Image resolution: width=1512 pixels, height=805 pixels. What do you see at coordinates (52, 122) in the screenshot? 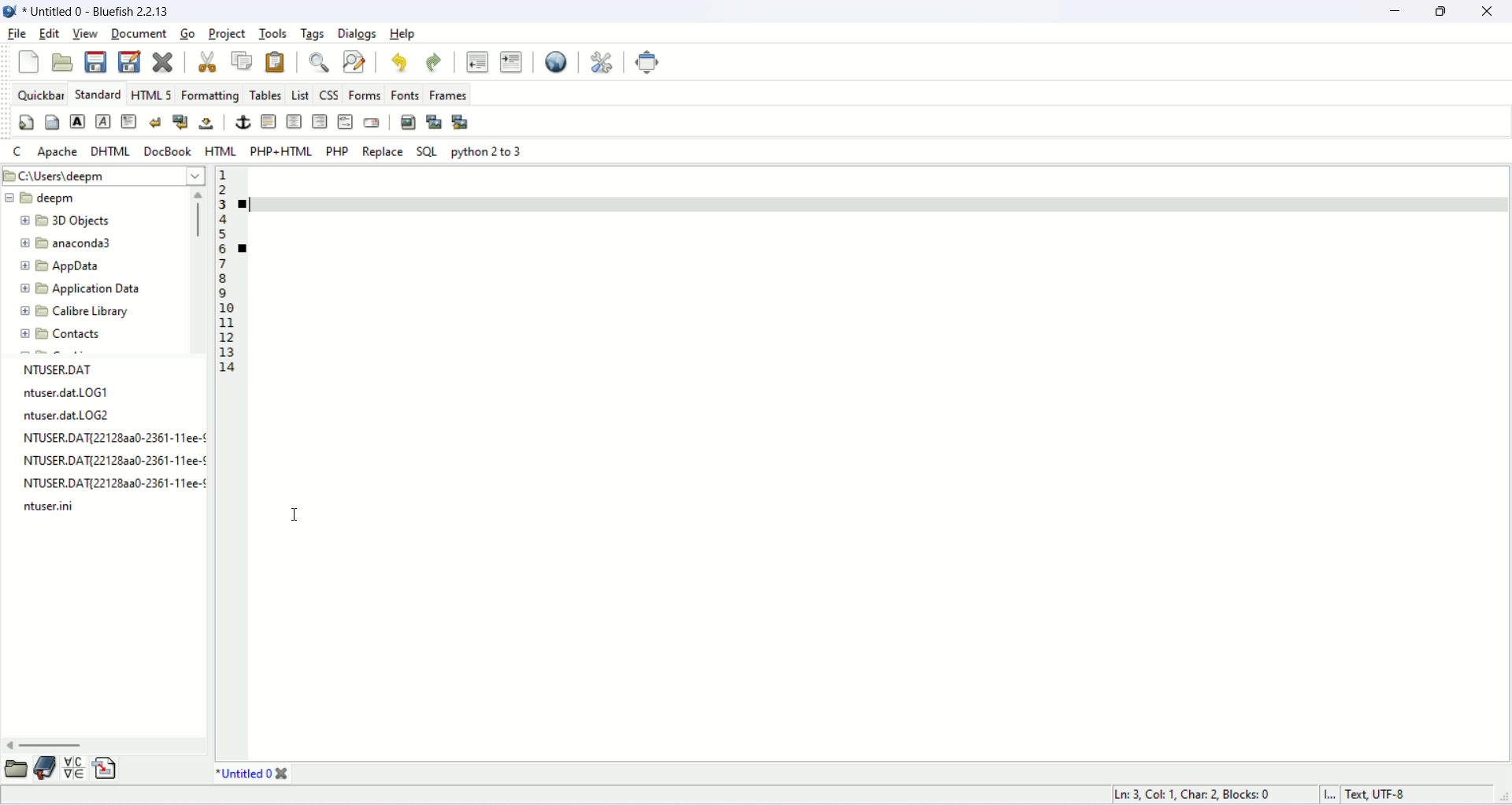
I see `body` at bounding box center [52, 122].